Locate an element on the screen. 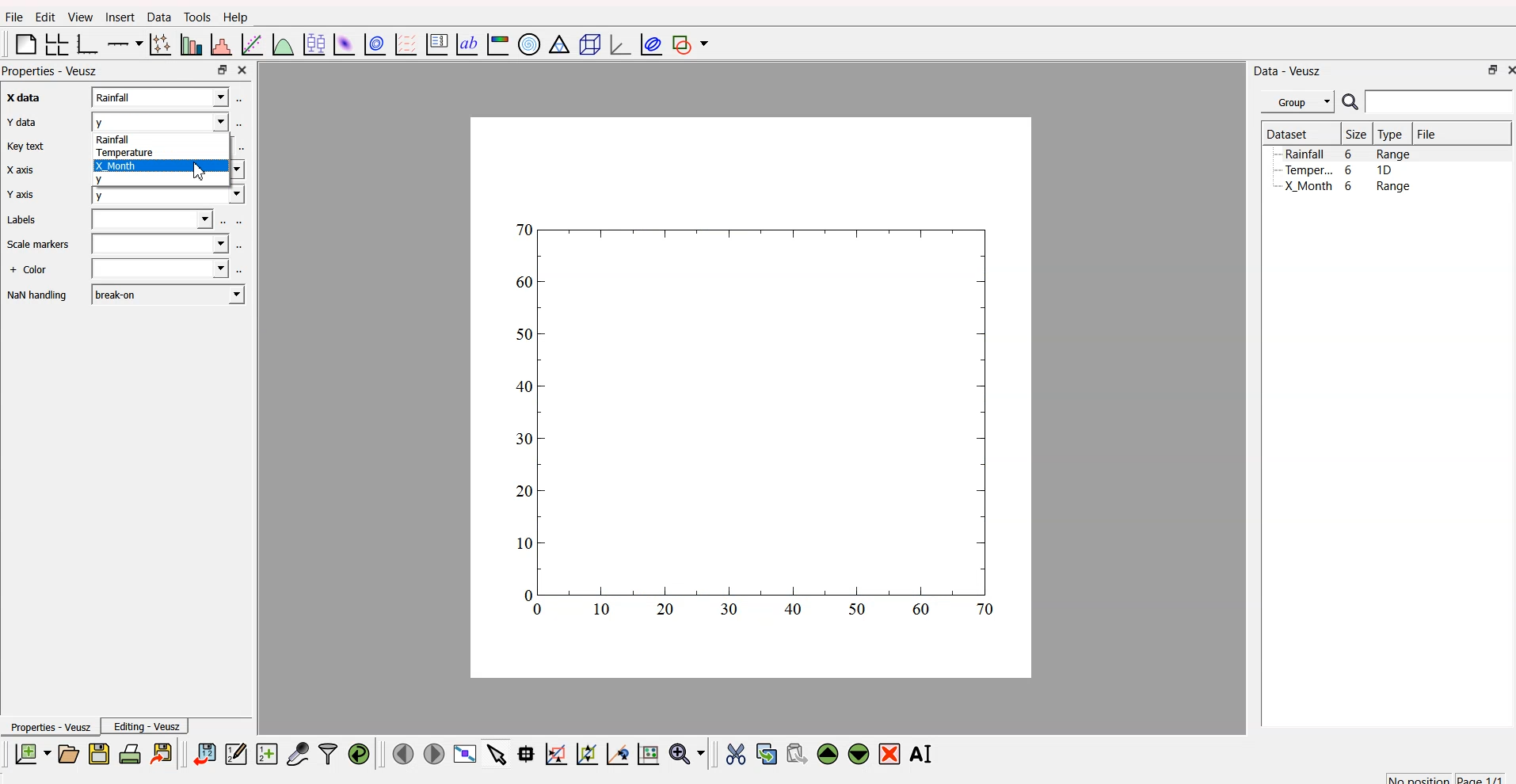  Flle is located at coordinates (14, 19).